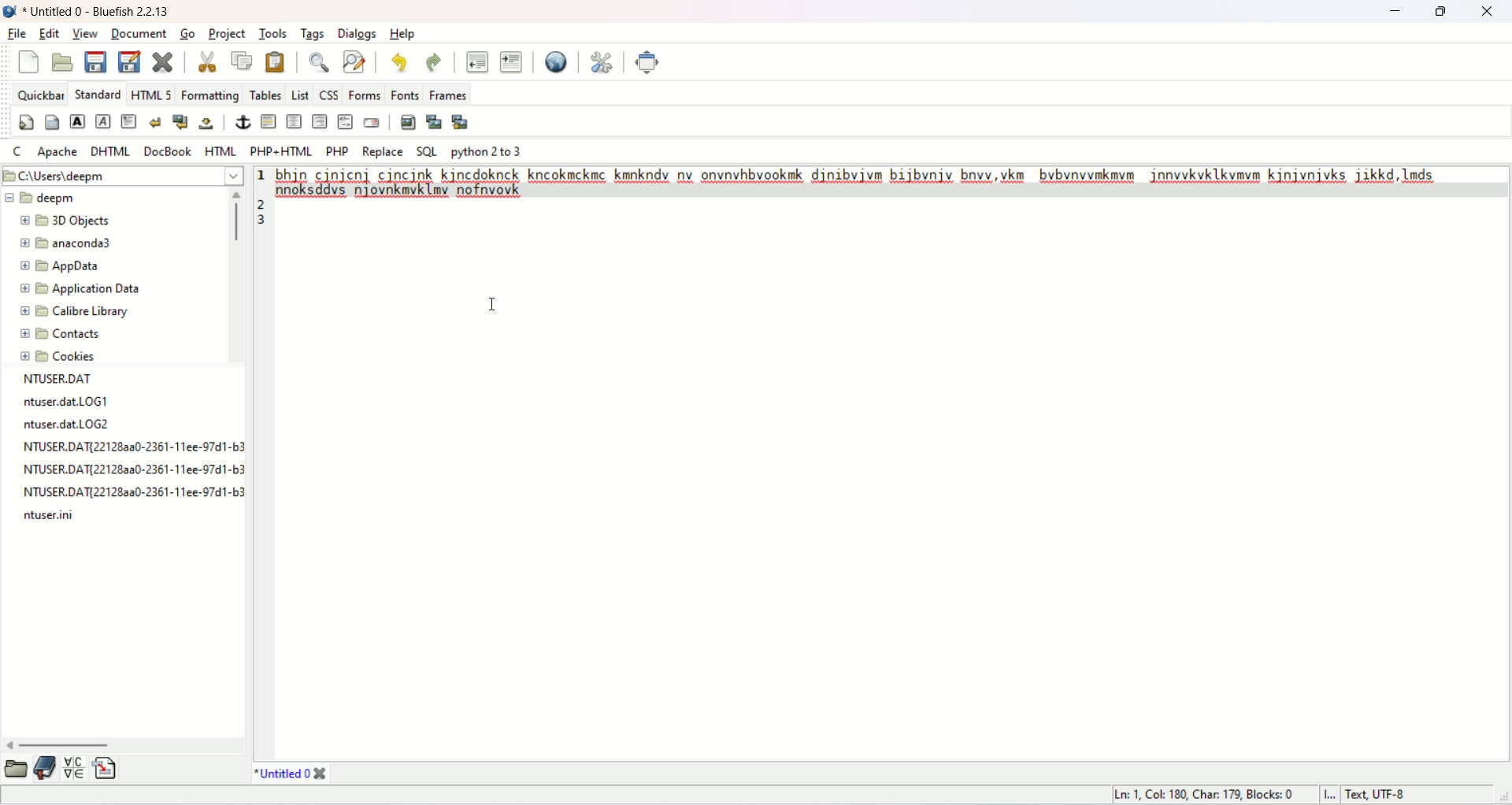  Describe the element at coordinates (511, 64) in the screenshot. I see `indent` at that location.